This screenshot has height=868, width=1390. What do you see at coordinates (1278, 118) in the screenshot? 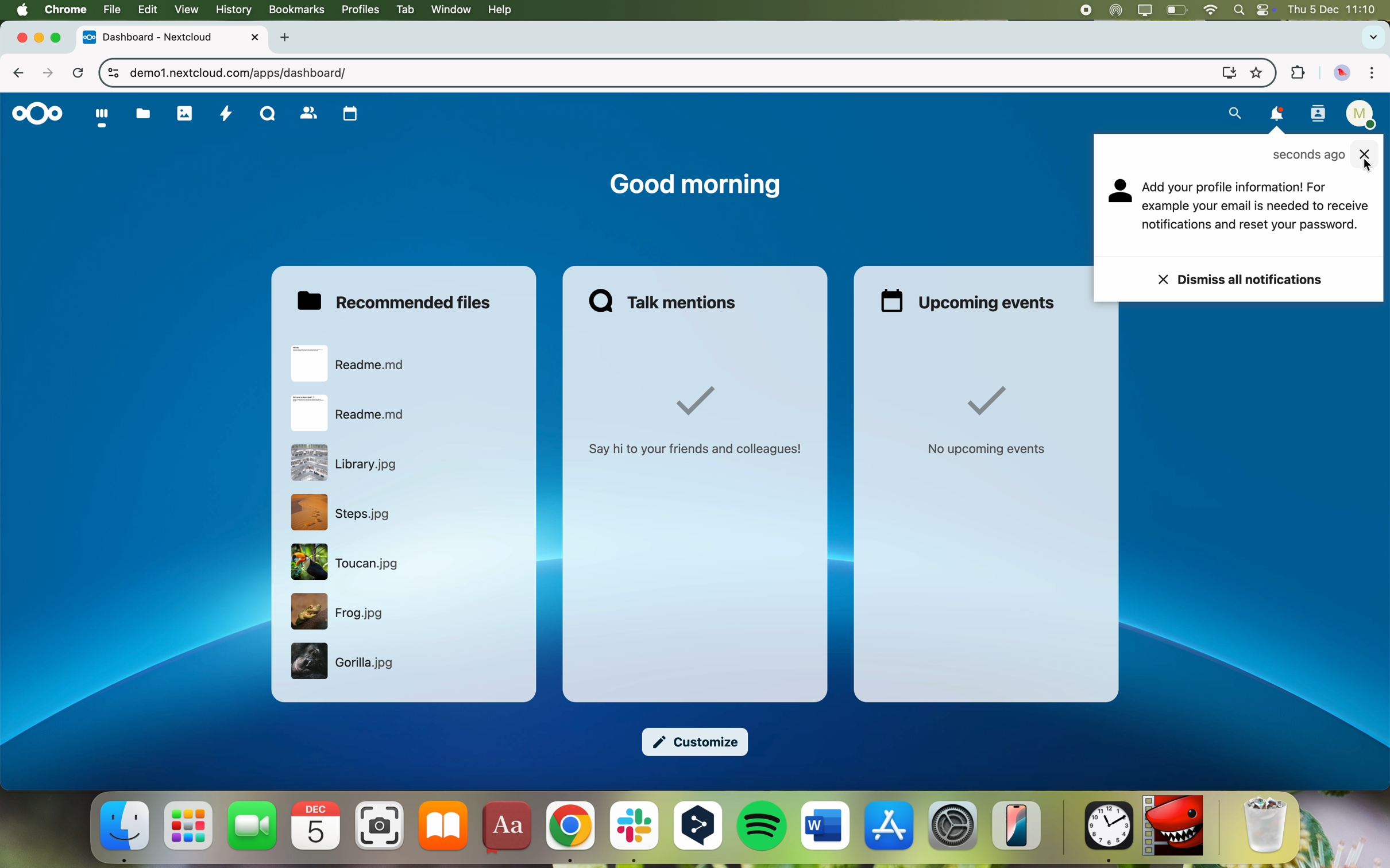
I see `click on notifications` at bounding box center [1278, 118].